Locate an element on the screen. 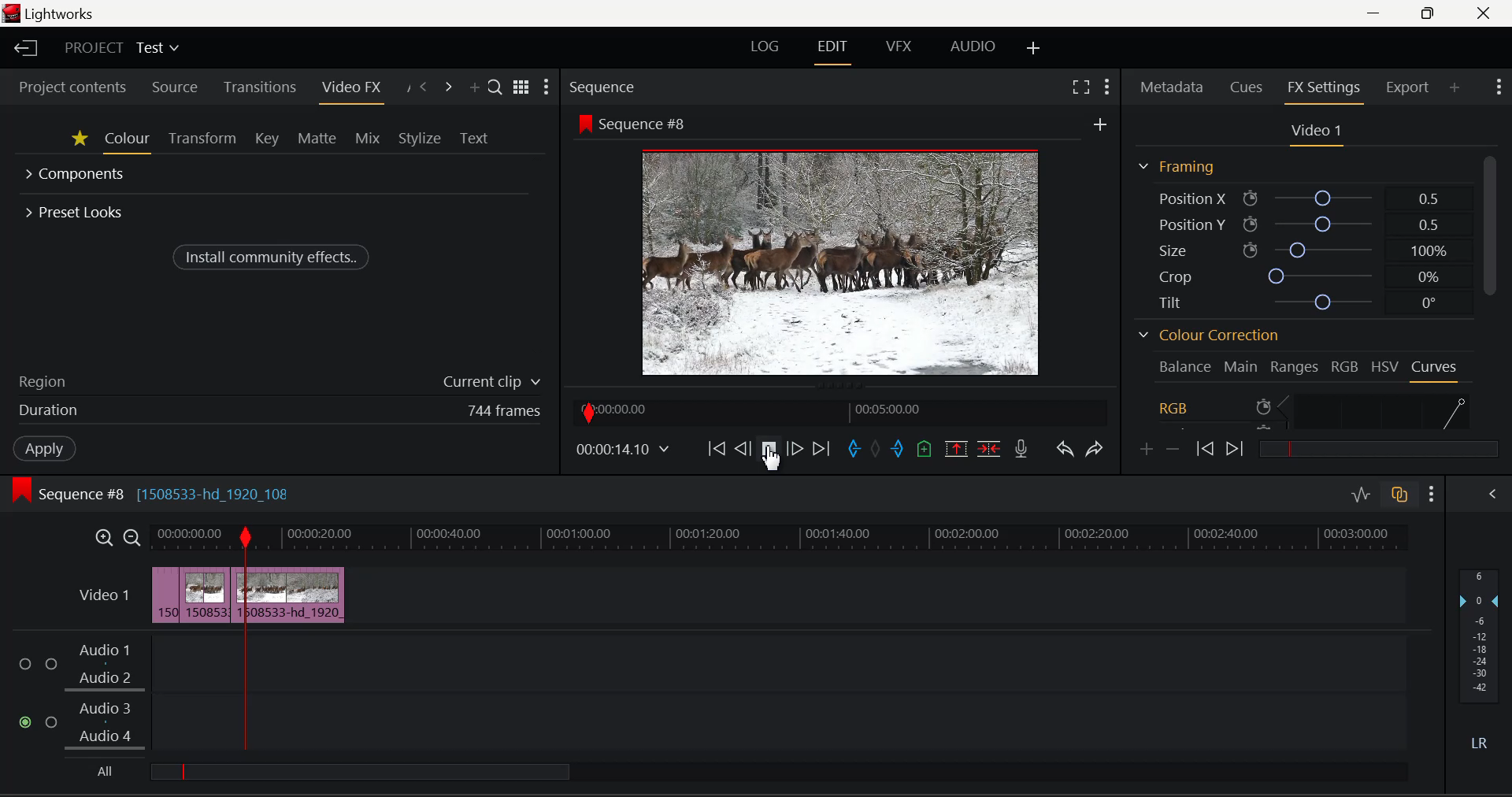  Remove all marks is located at coordinates (877, 450).